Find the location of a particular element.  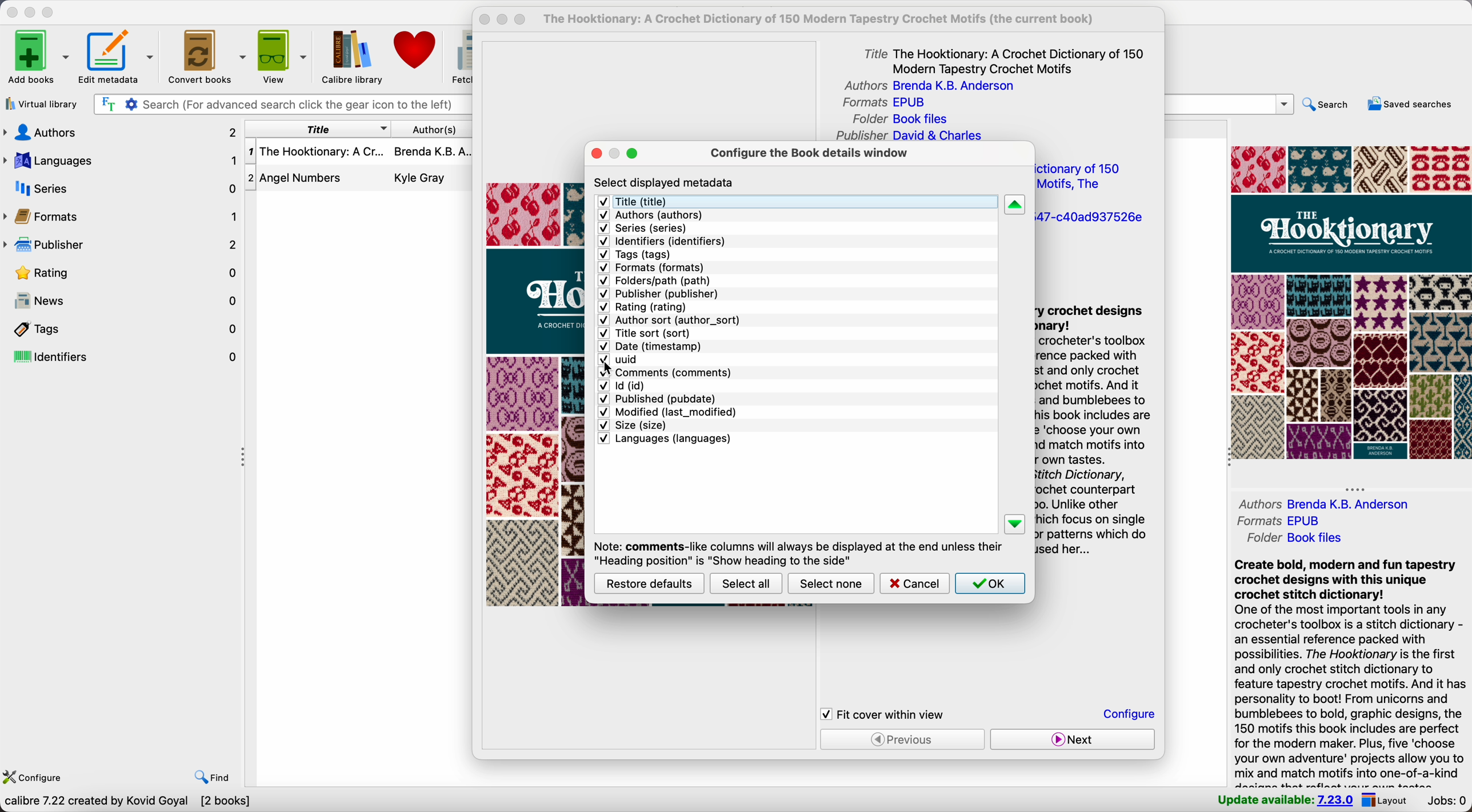

authors is located at coordinates (650, 216).